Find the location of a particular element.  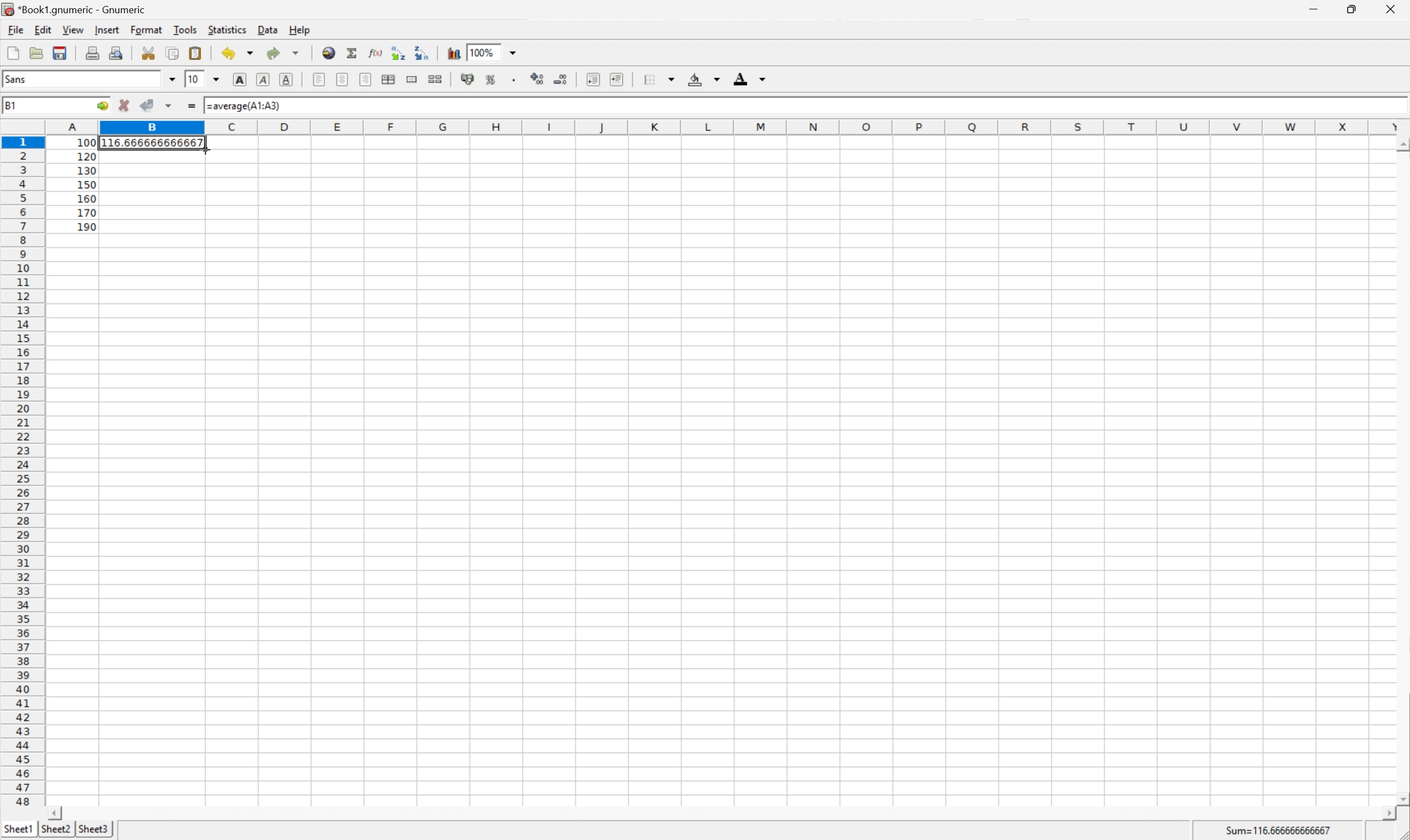

120 is located at coordinates (87, 156).